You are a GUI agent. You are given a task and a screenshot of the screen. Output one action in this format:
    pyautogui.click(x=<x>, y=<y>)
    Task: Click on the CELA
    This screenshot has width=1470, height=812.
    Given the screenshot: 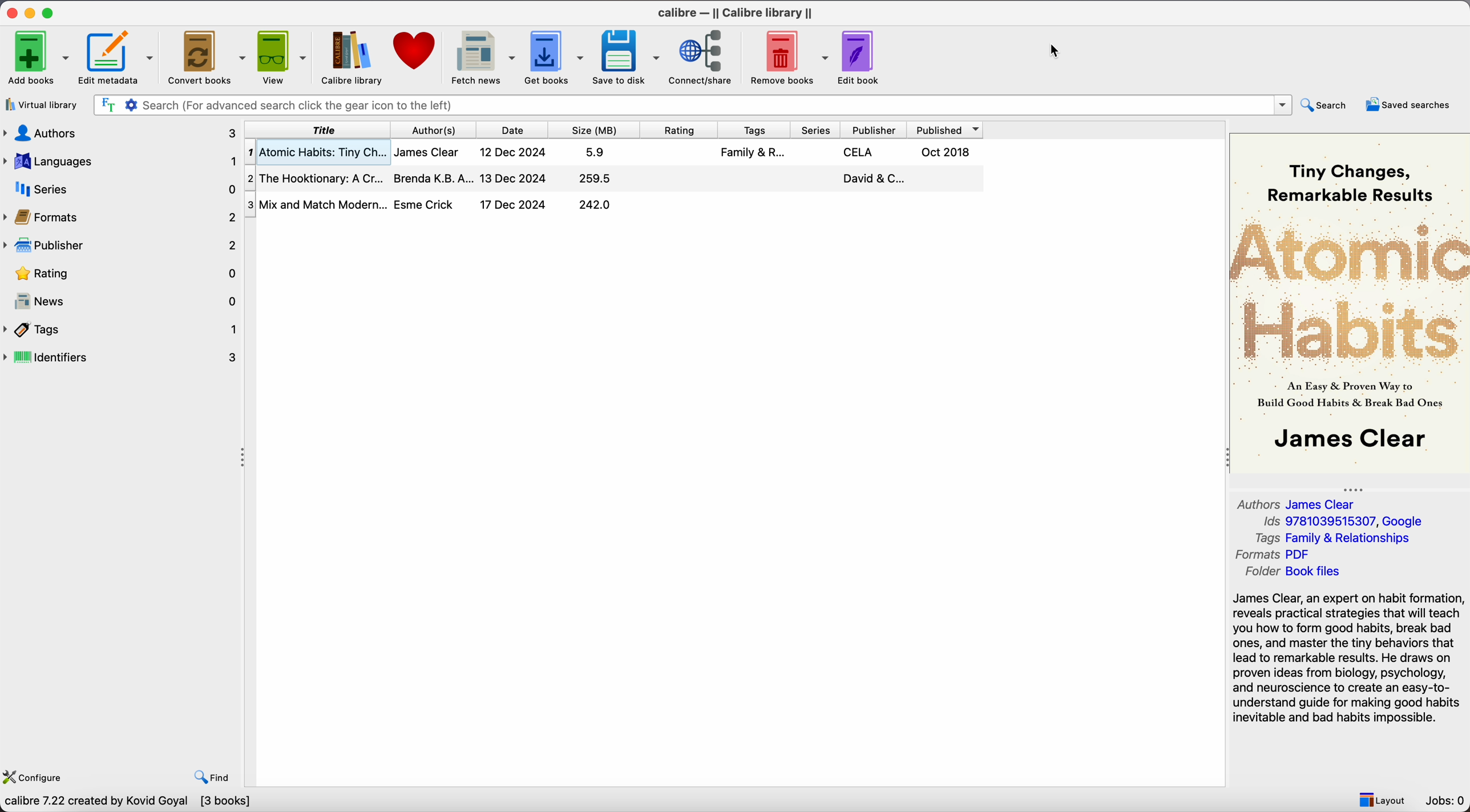 What is the action you would take?
    pyautogui.click(x=859, y=152)
    